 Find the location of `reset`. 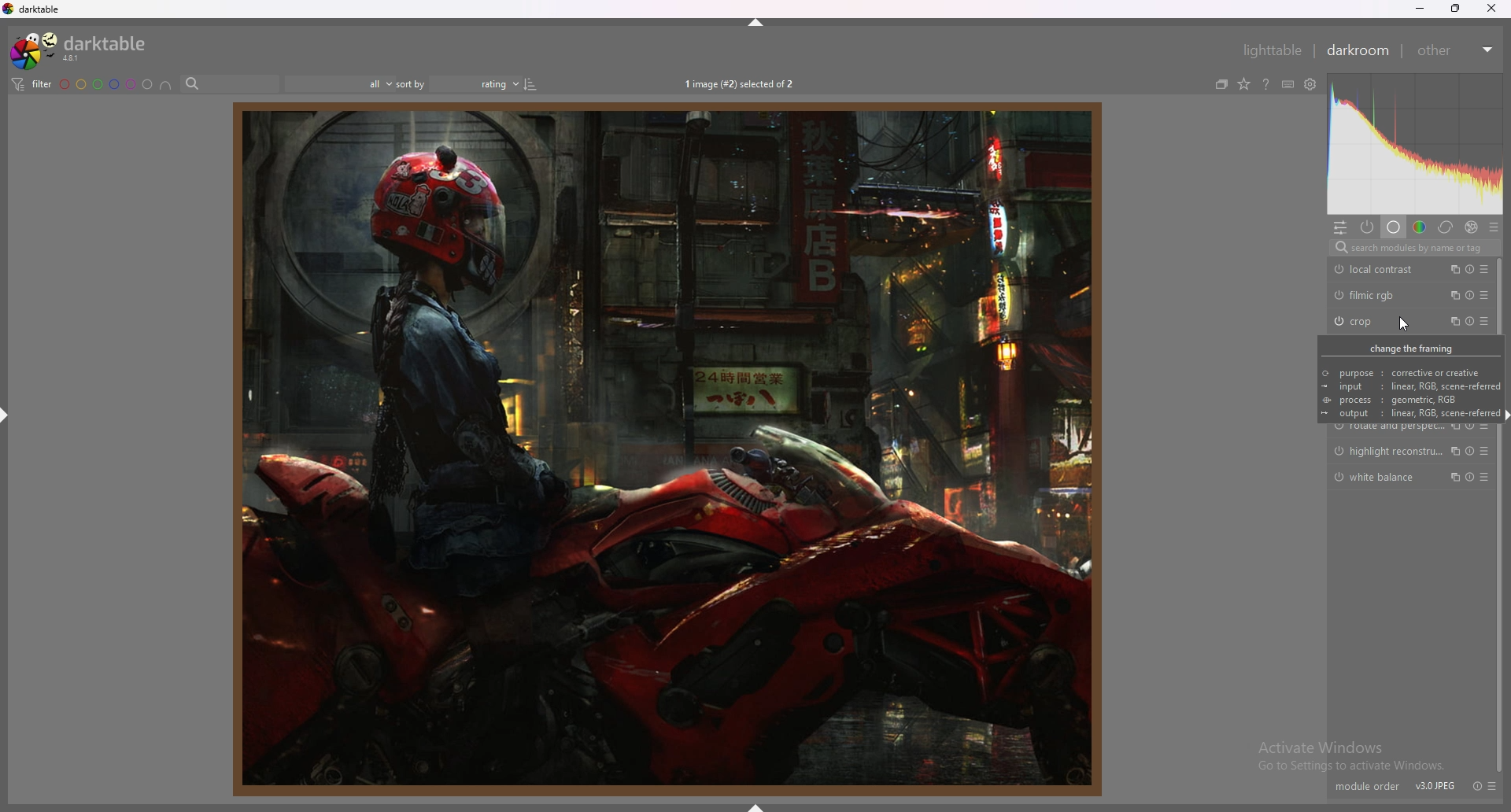

reset is located at coordinates (1469, 321).